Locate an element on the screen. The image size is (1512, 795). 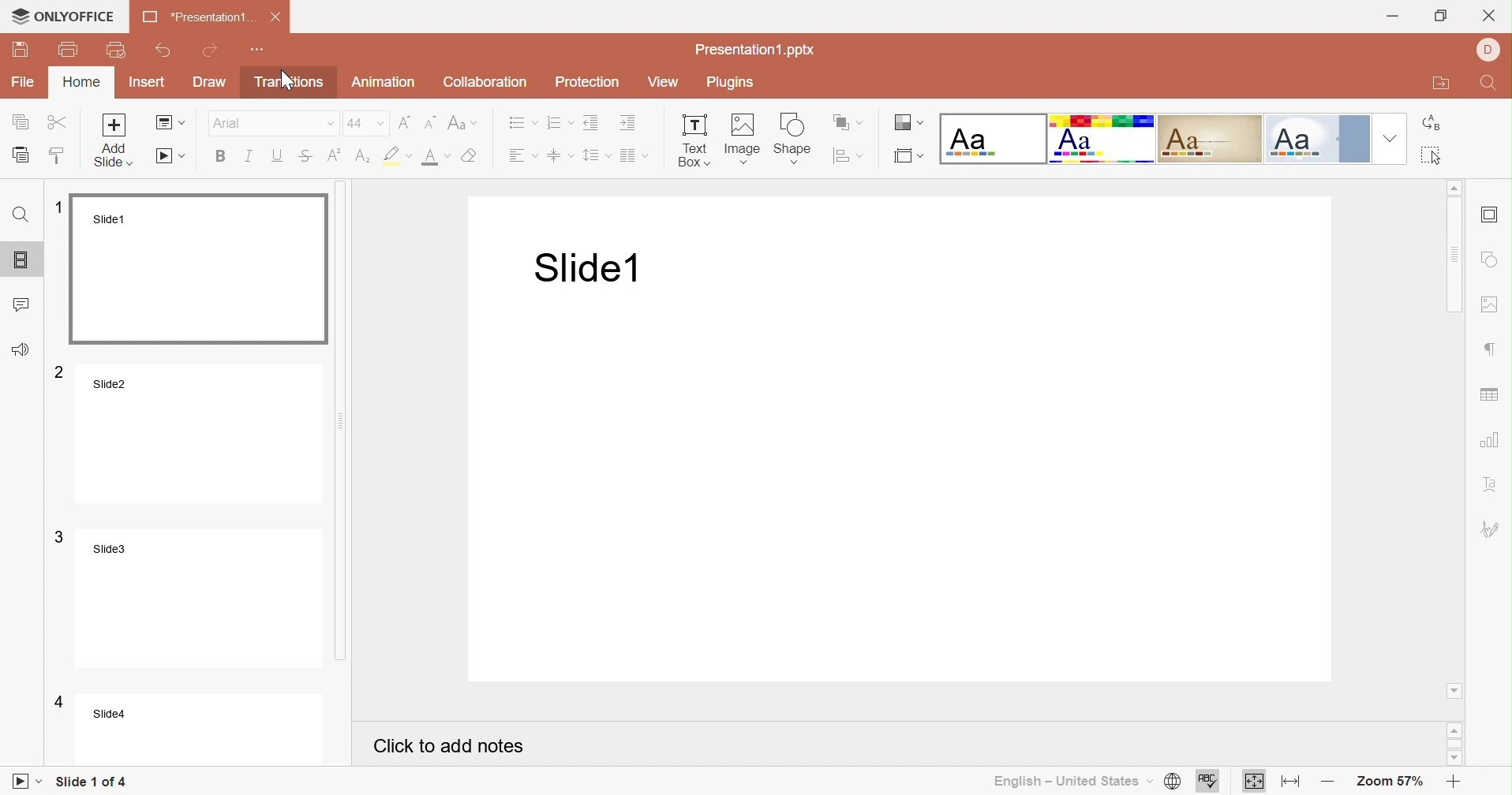
Minimize is located at coordinates (1393, 17).